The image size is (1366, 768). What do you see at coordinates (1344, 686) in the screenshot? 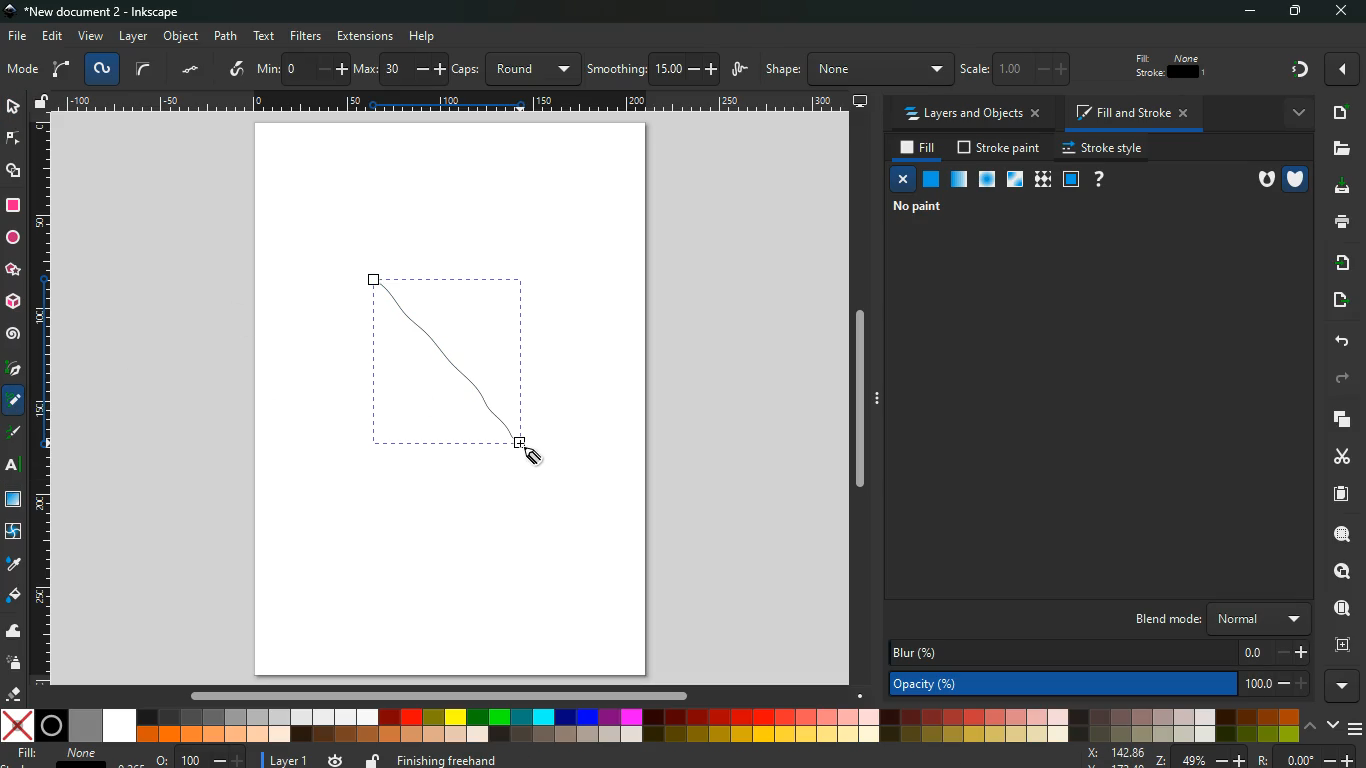
I see `more` at bounding box center [1344, 686].